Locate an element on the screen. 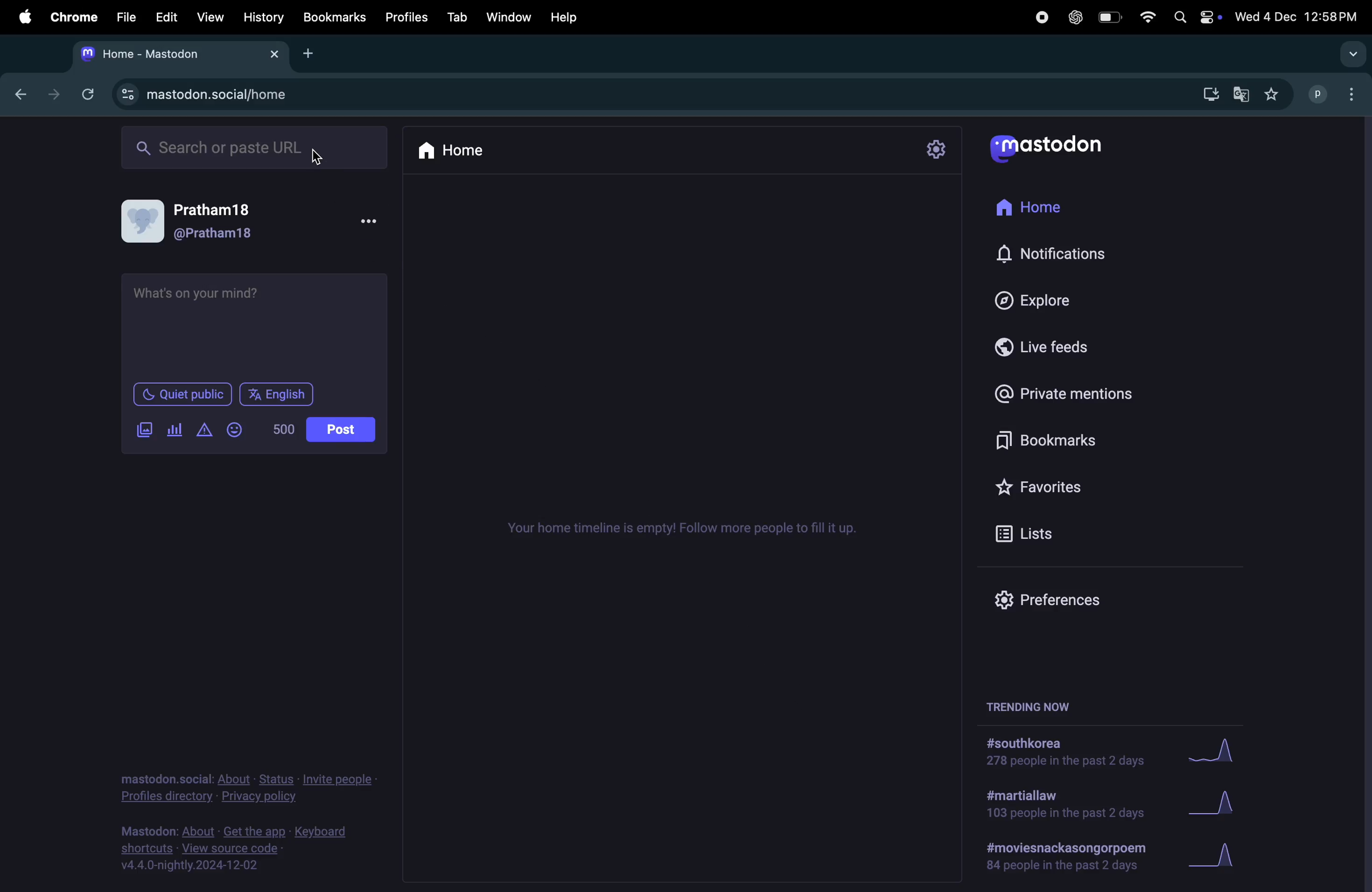  Home is located at coordinates (1041, 209).